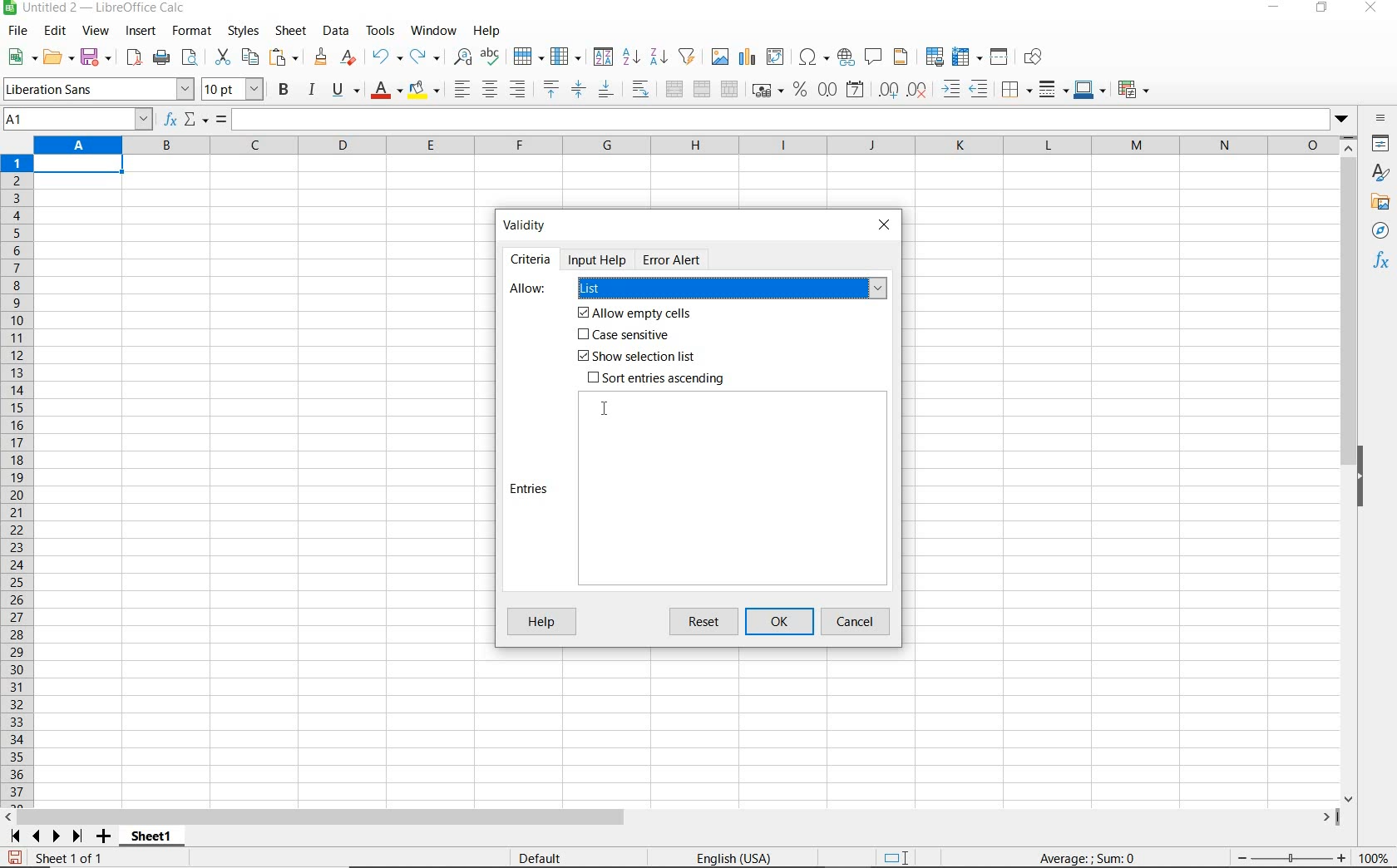 This screenshot has height=868, width=1397. Describe the element at coordinates (731, 289) in the screenshot. I see `list` at that location.